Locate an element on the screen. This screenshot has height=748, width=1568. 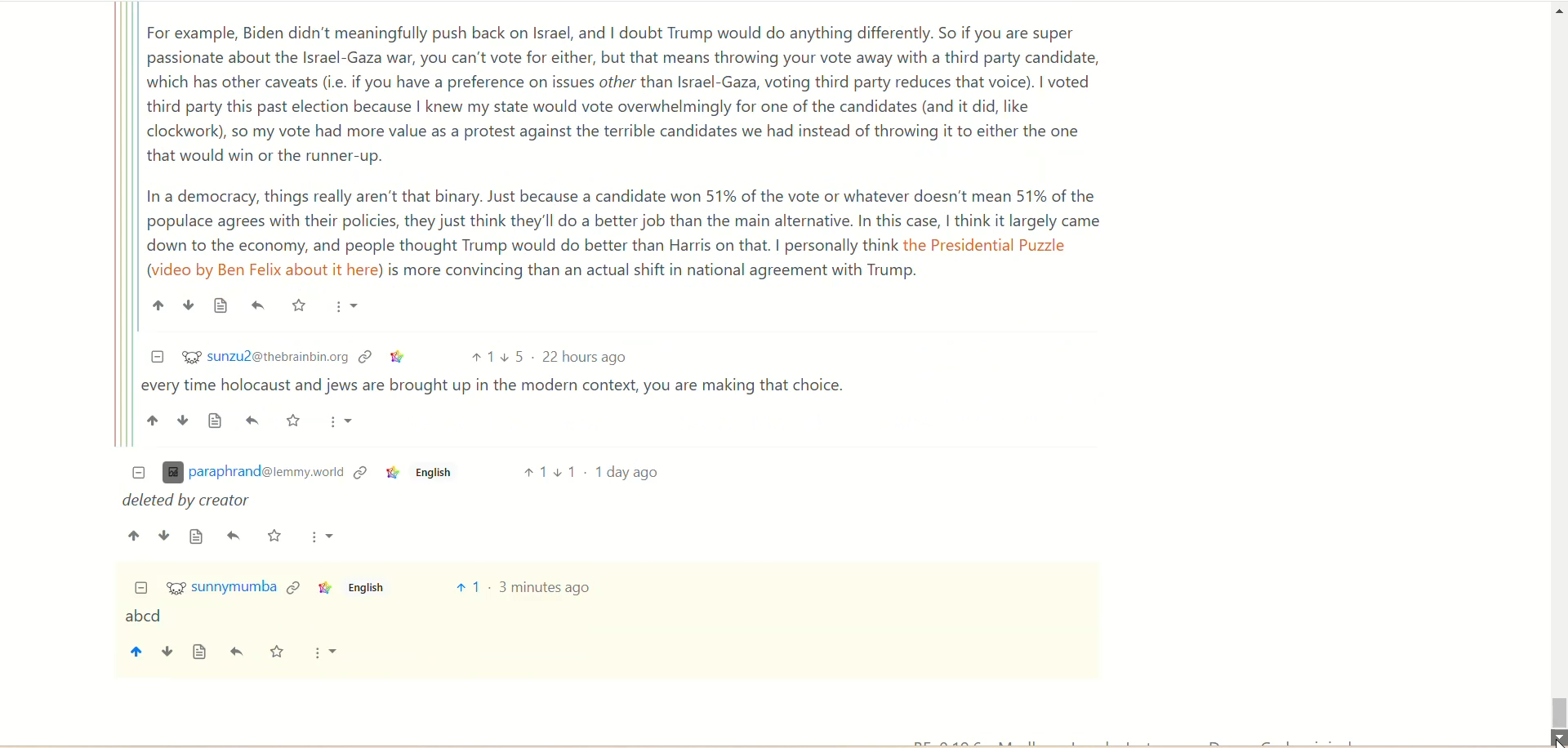
Starred is located at coordinates (276, 535).